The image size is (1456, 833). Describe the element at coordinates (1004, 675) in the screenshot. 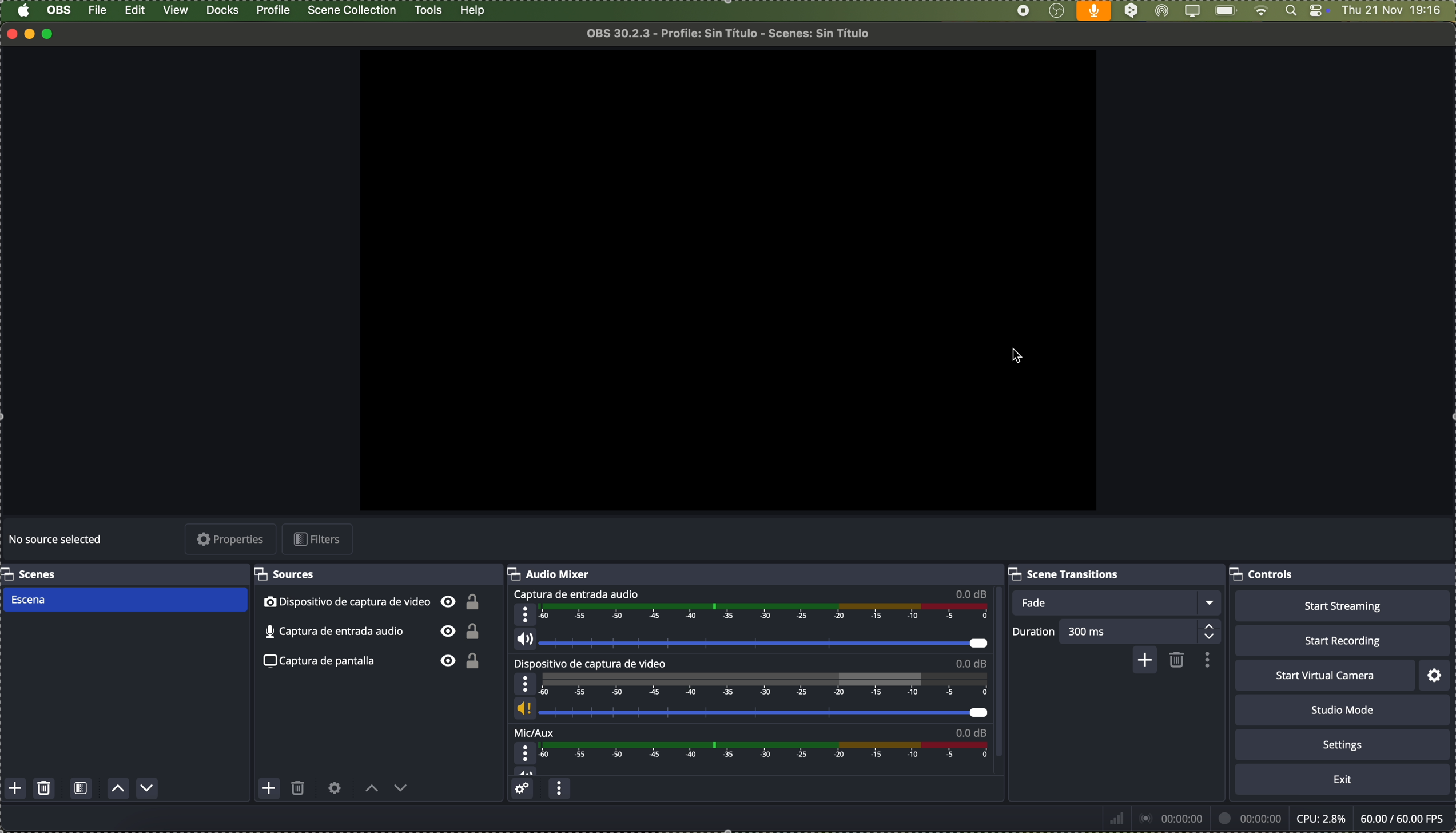

I see `scroll bar` at that location.